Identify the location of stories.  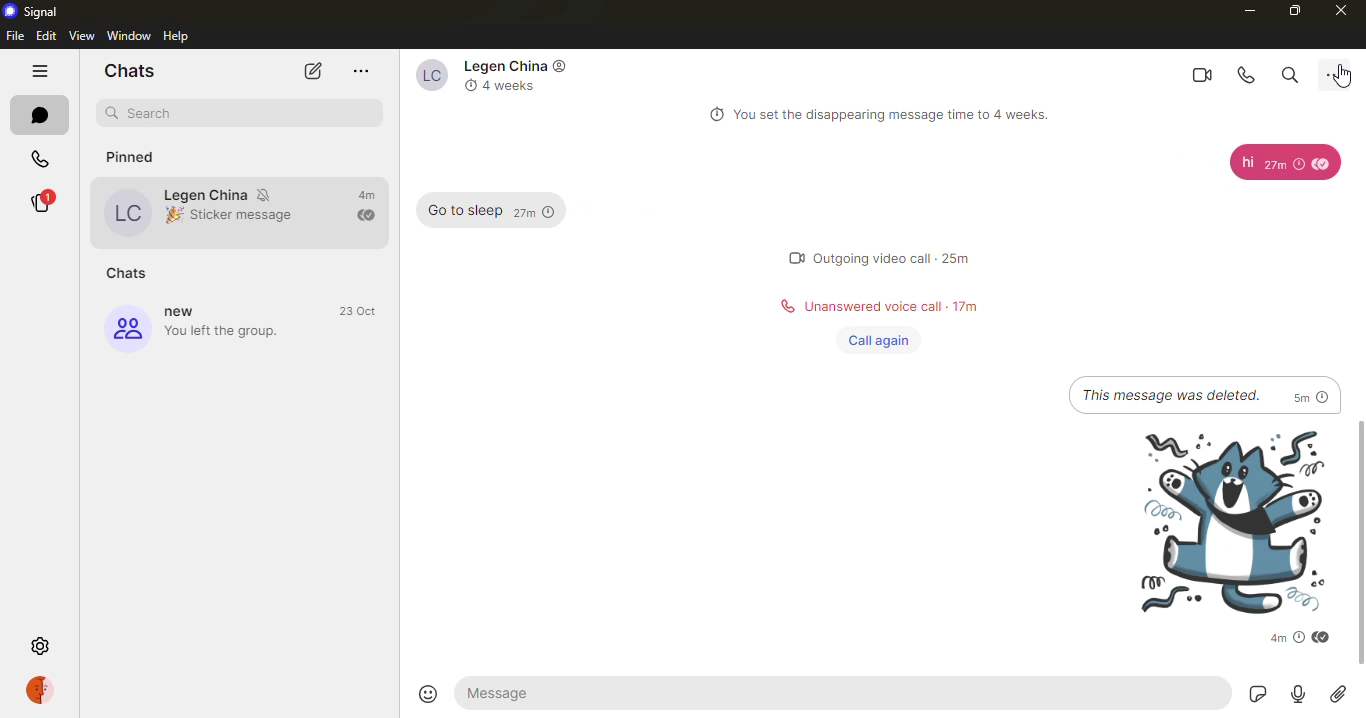
(40, 202).